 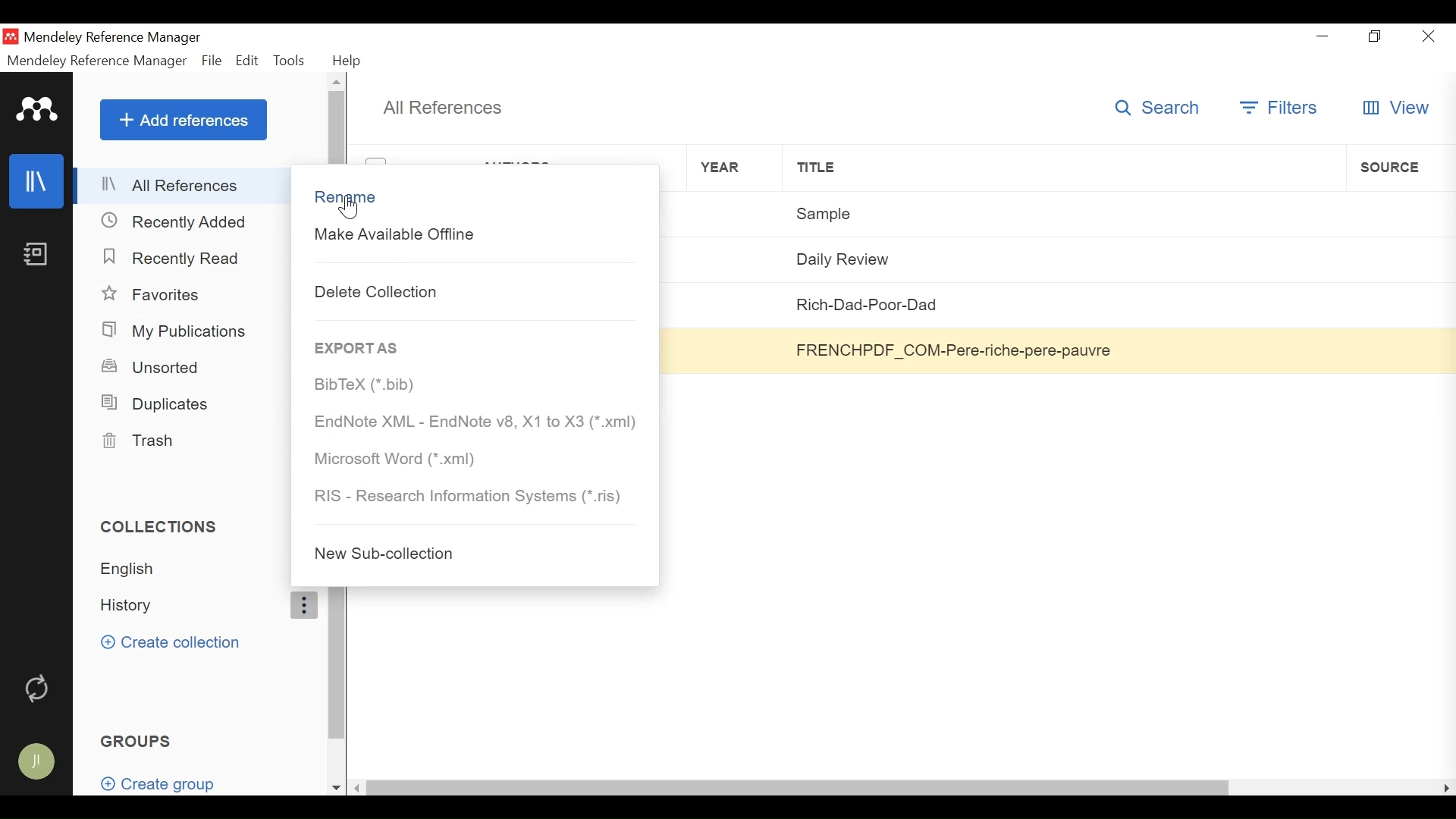 I want to click on Duplicates, so click(x=154, y=403).